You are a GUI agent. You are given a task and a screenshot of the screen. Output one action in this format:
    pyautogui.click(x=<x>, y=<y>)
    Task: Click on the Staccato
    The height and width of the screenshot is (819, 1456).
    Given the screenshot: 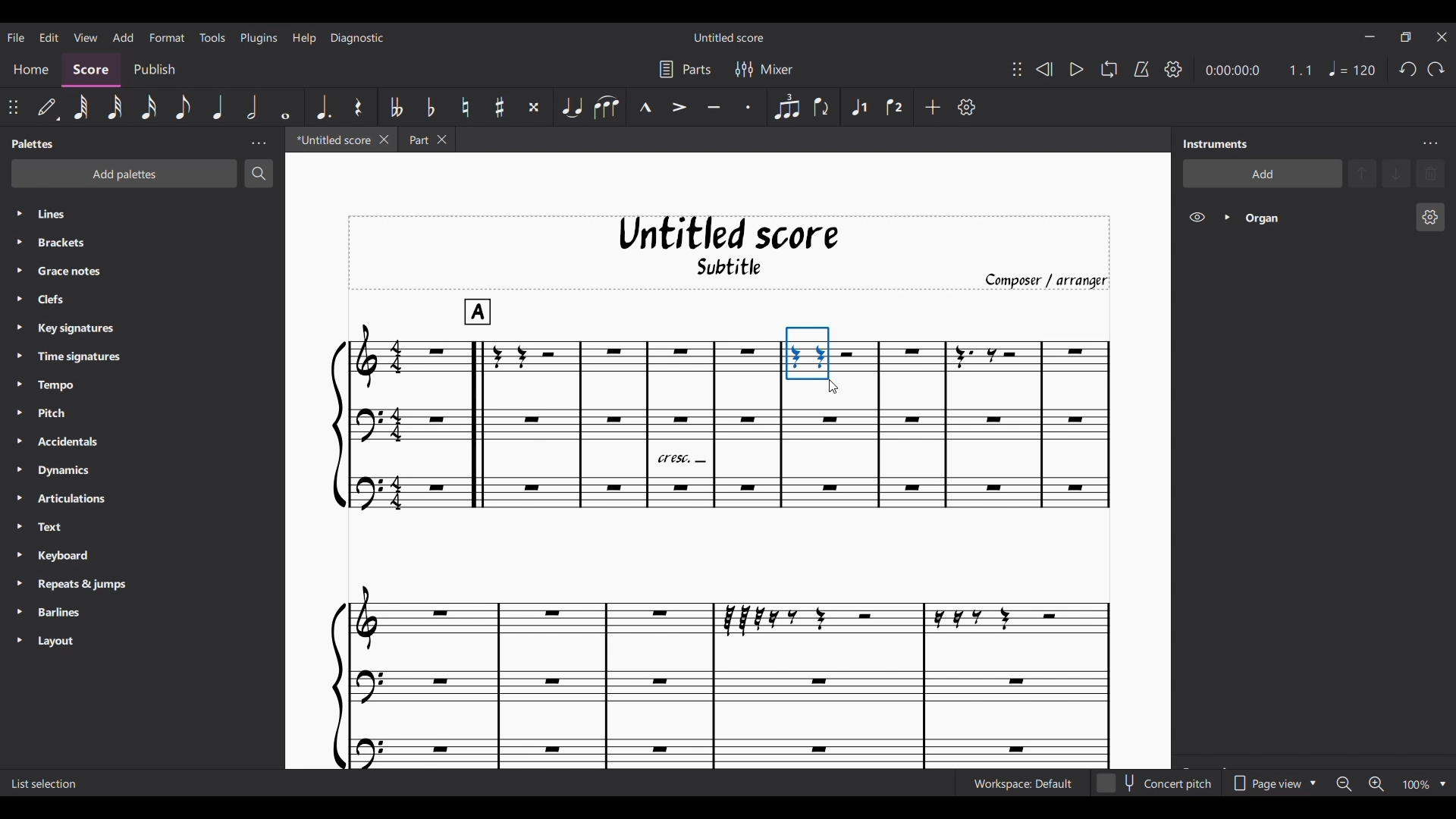 What is the action you would take?
    pyautogui.click(x=748, y=108)
    